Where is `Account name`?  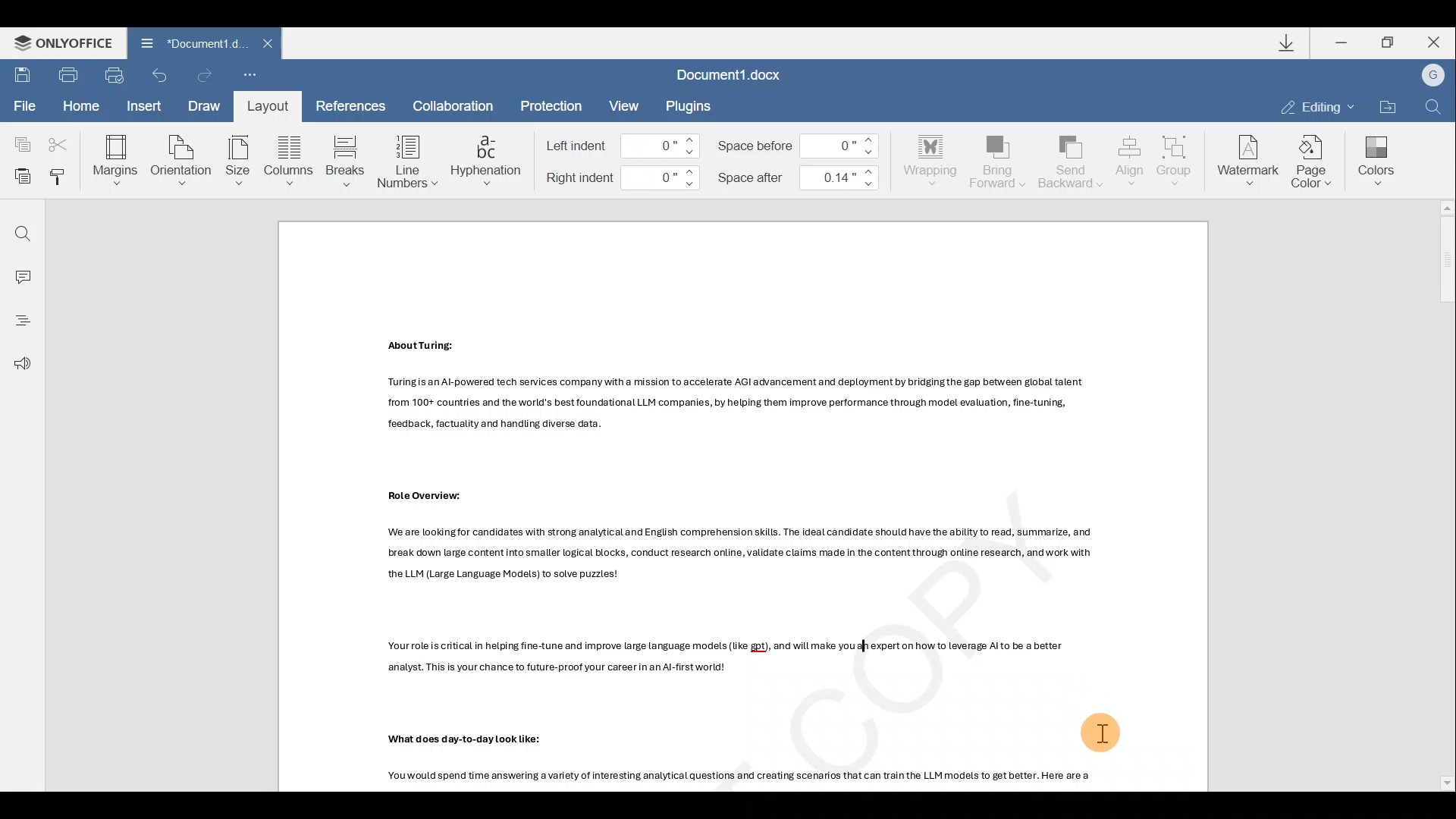
Account name is located at coordinates (1432, 74).